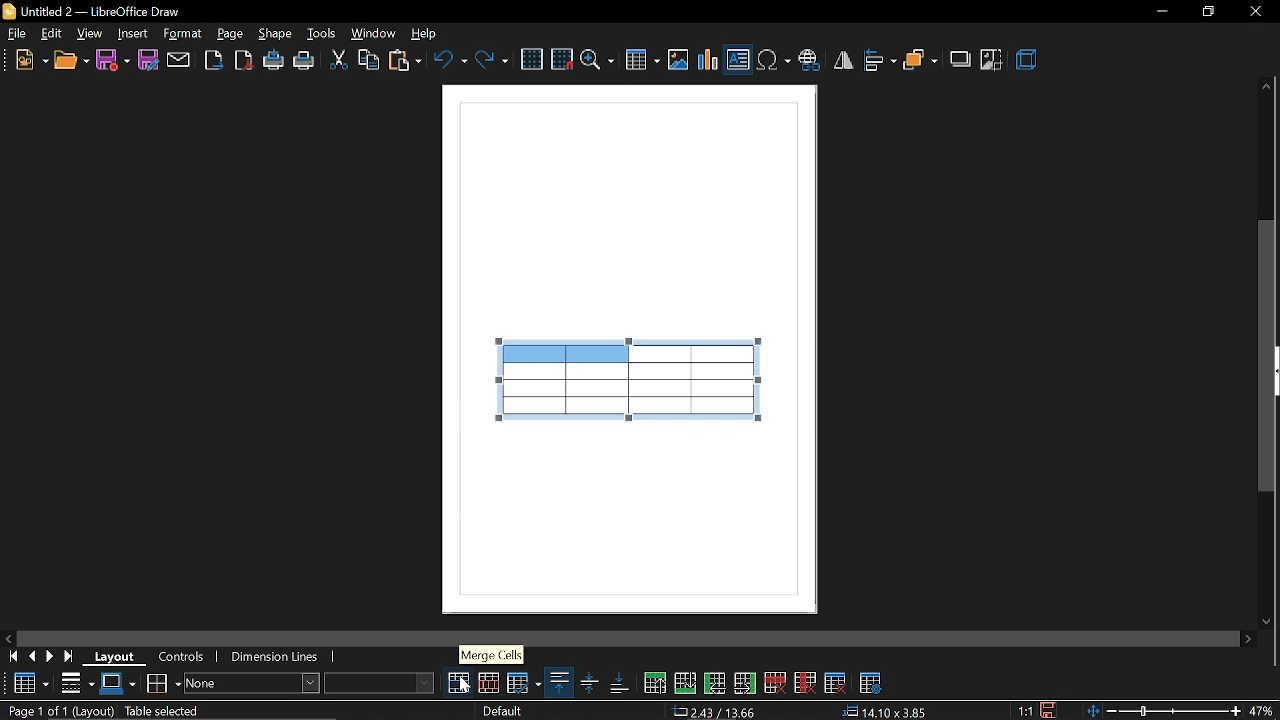 The image size is (1280, 720). I want to click on undo, so click(450, 61).